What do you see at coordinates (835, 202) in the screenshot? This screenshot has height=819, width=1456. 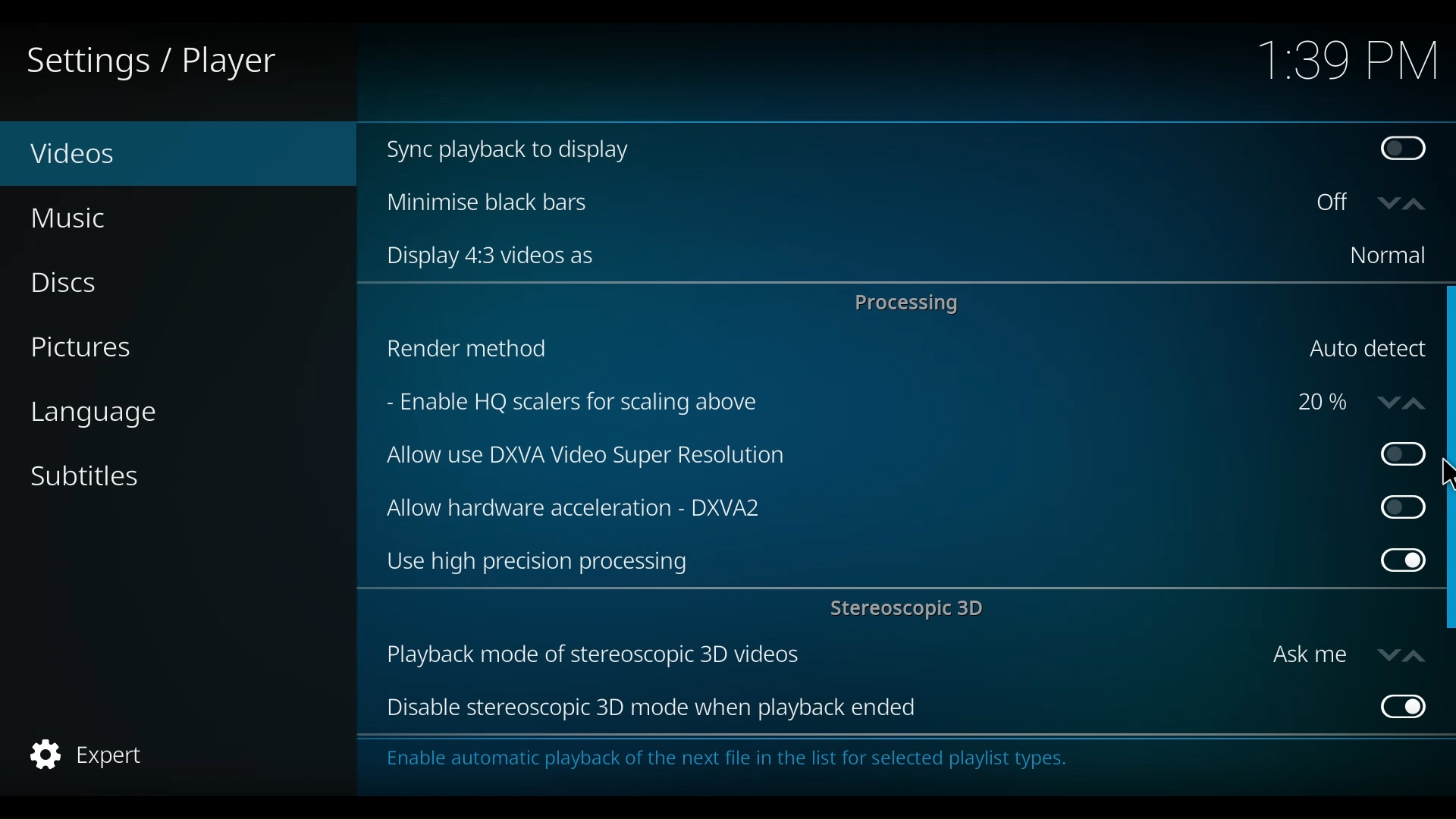 I see `Minimise black bars` at bounding box center [835, 202].